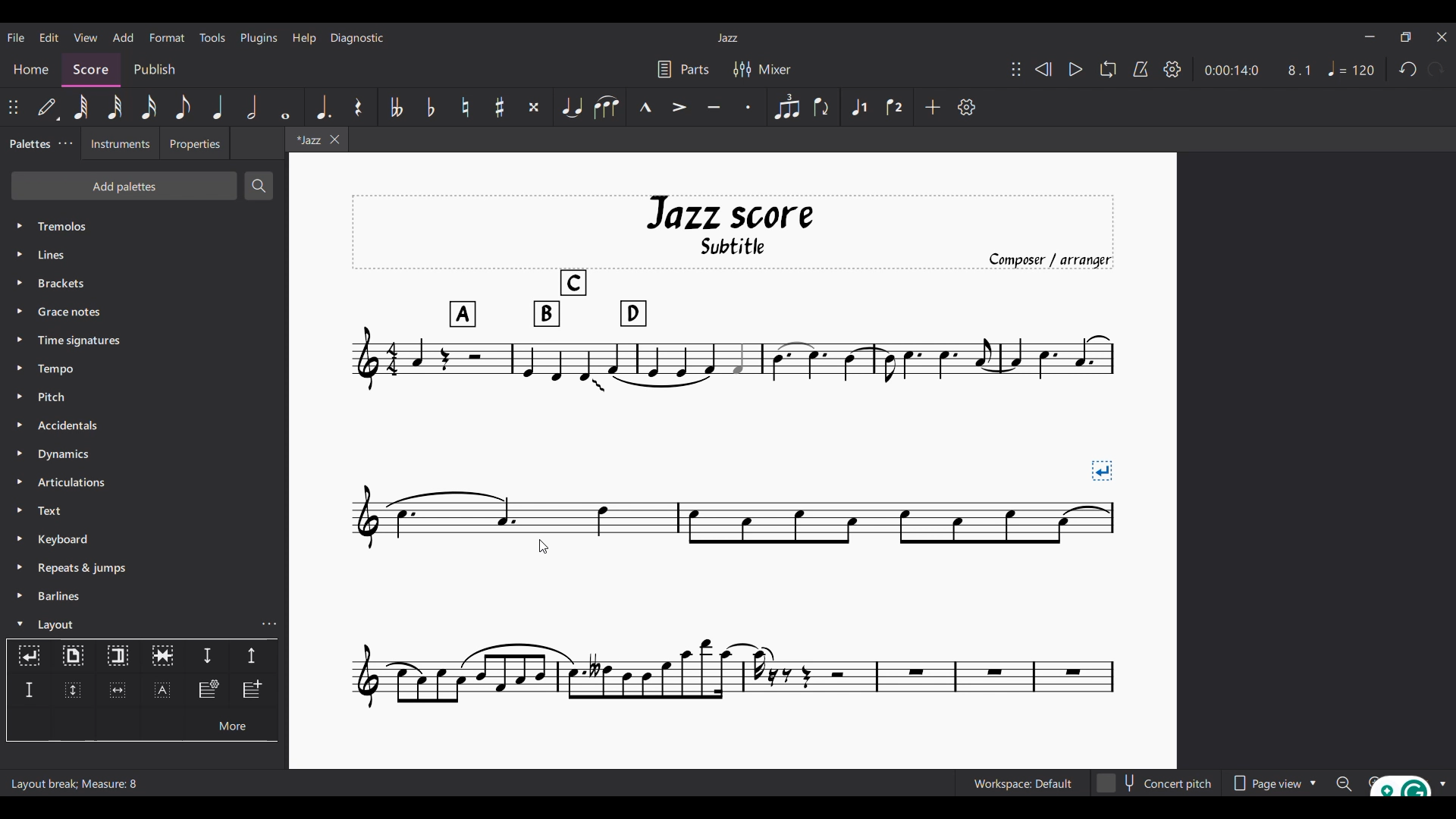 This screenshot has width=1456, height=819. Describe the element at coordinates (894, 107) in the screenshot. I see `Voice 2` at that location.